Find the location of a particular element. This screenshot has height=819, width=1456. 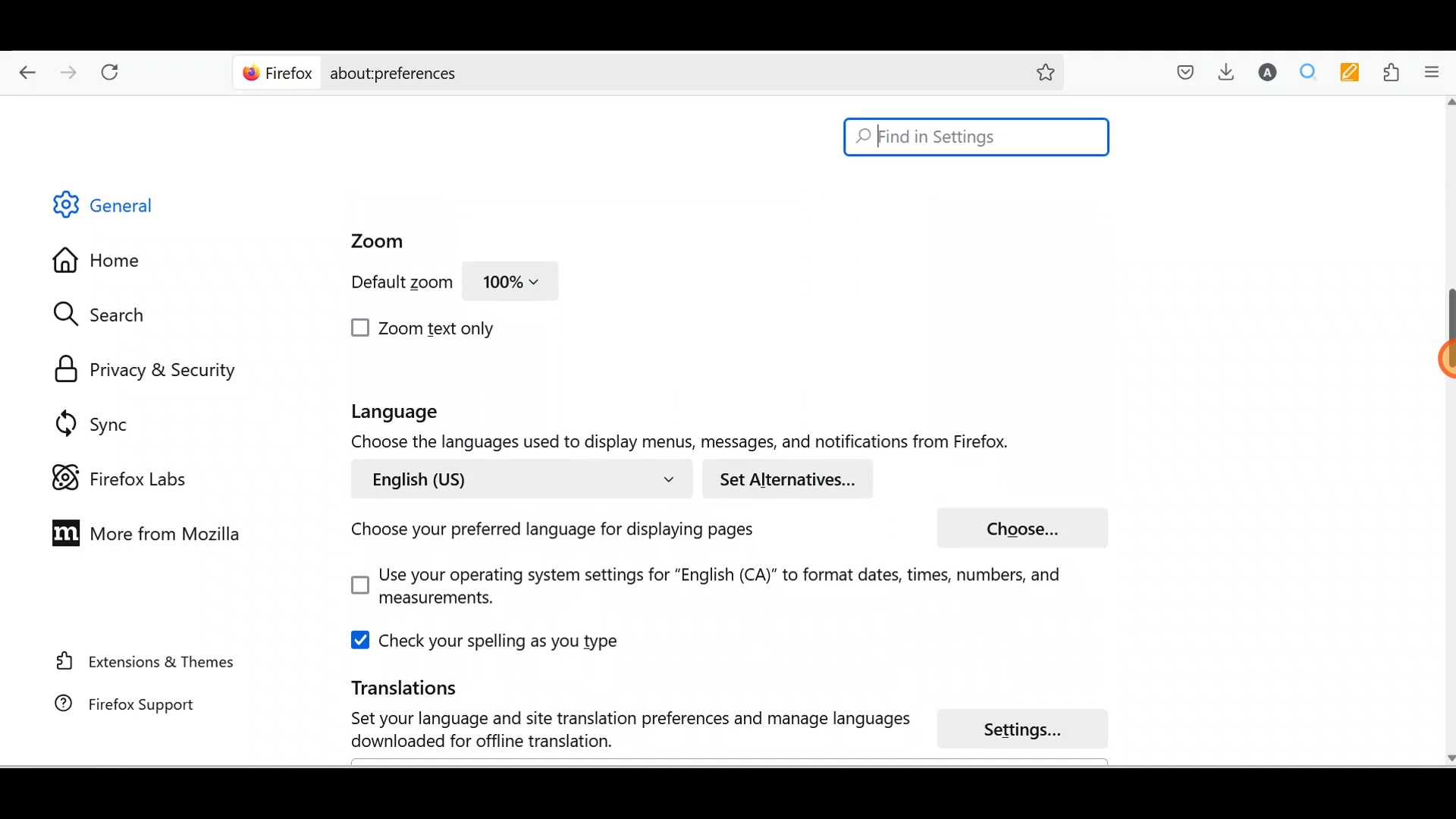

Multi keywords highlighter is located at coordinates (1354, 74).